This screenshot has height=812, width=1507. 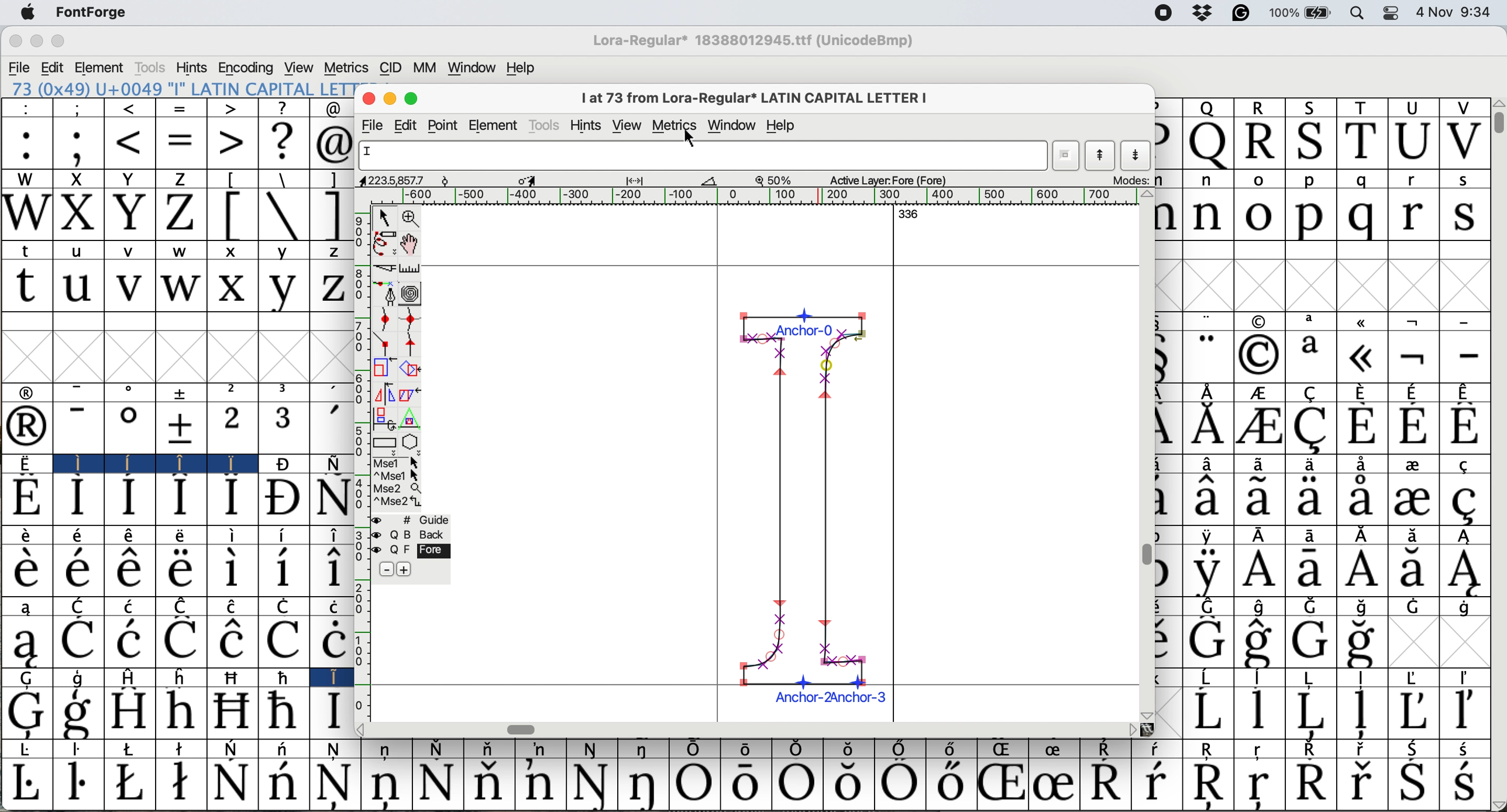 What do you see at coordinates (193, 68) in the screenshot?
I see `hints` at bounding box center [193, 68].